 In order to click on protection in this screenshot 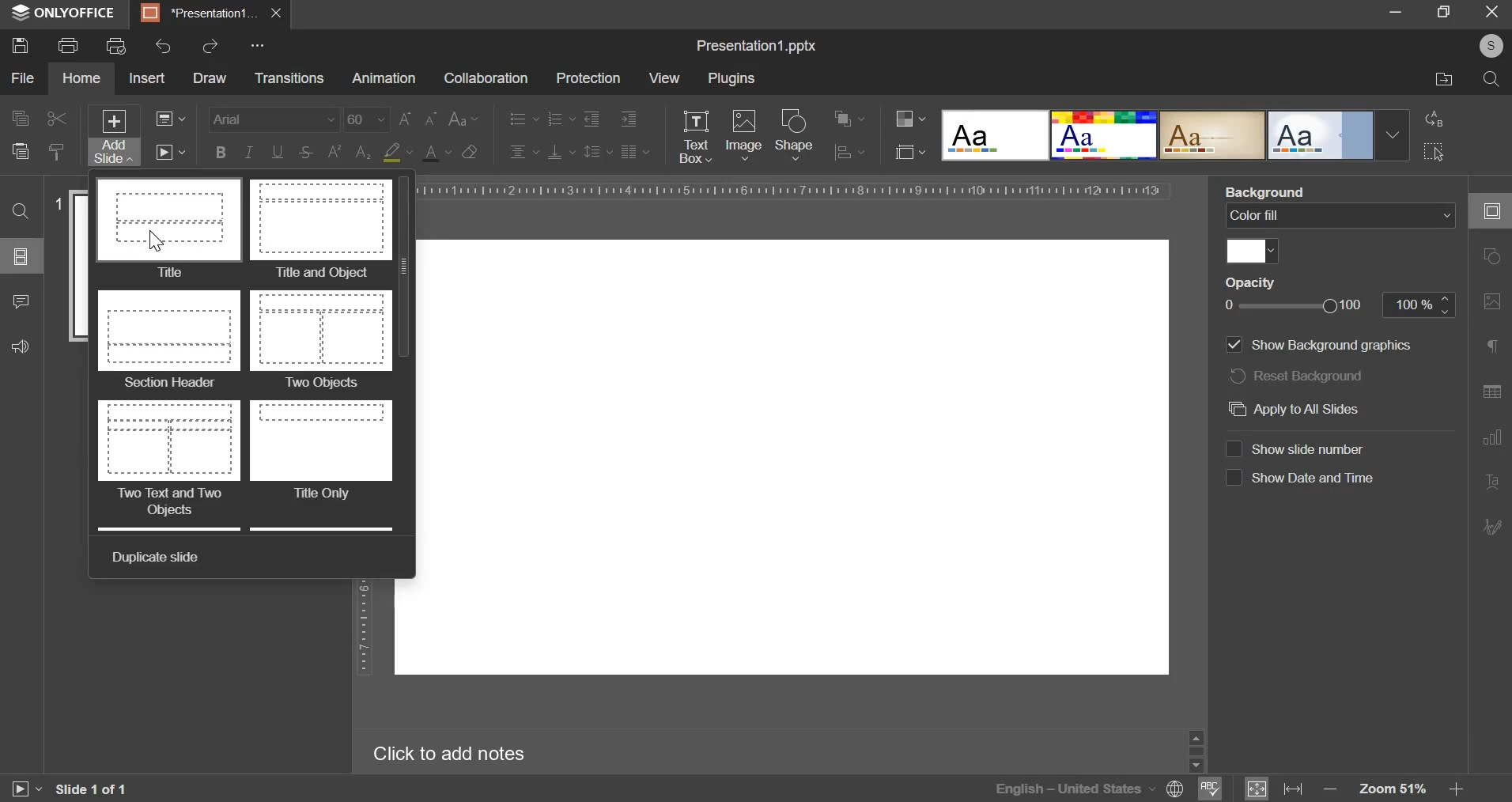, I will do `click(588, 78)`.